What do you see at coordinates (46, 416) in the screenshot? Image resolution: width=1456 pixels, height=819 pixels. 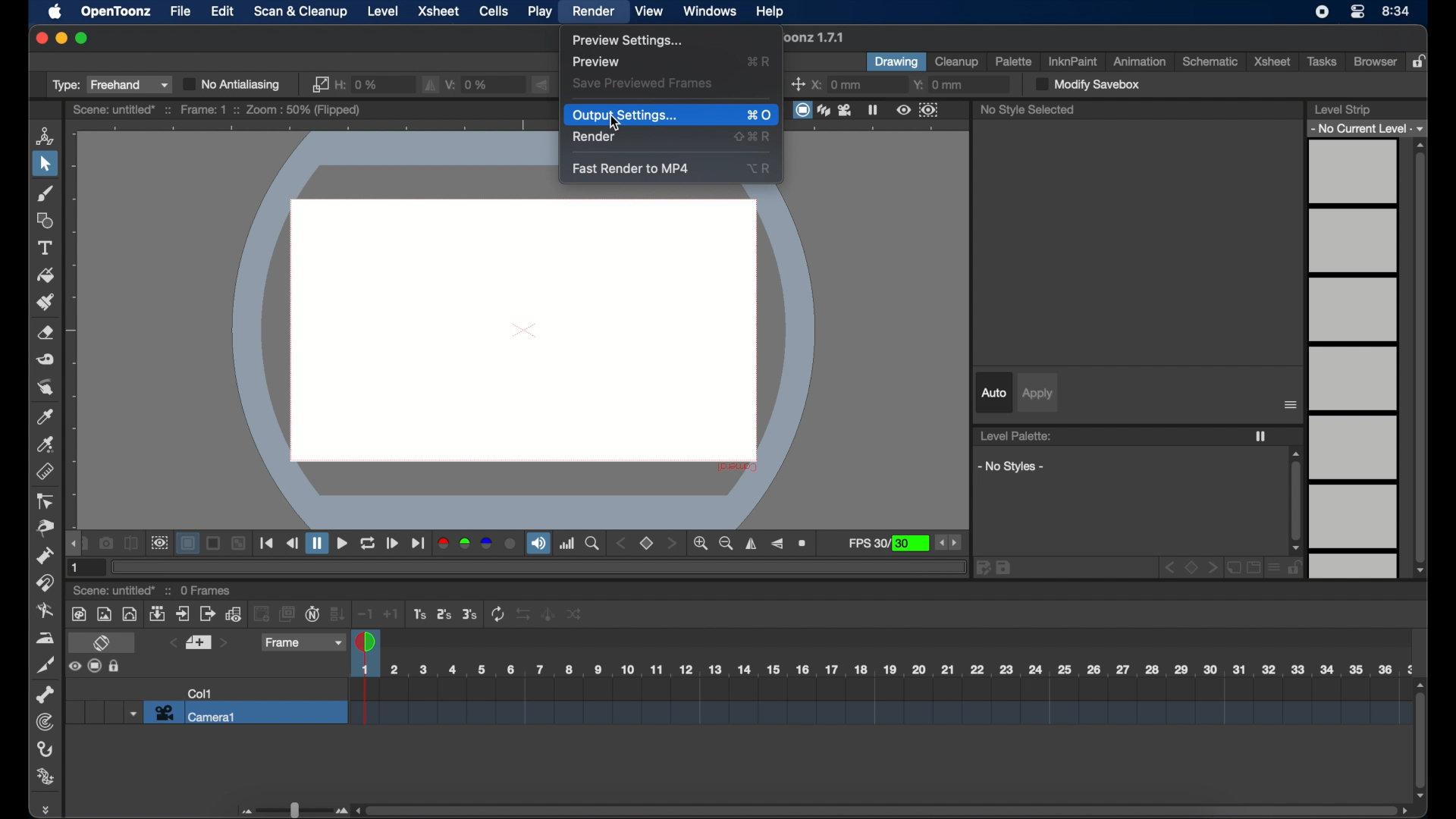 I see `color picker tool` at bounding box center [46, 416].